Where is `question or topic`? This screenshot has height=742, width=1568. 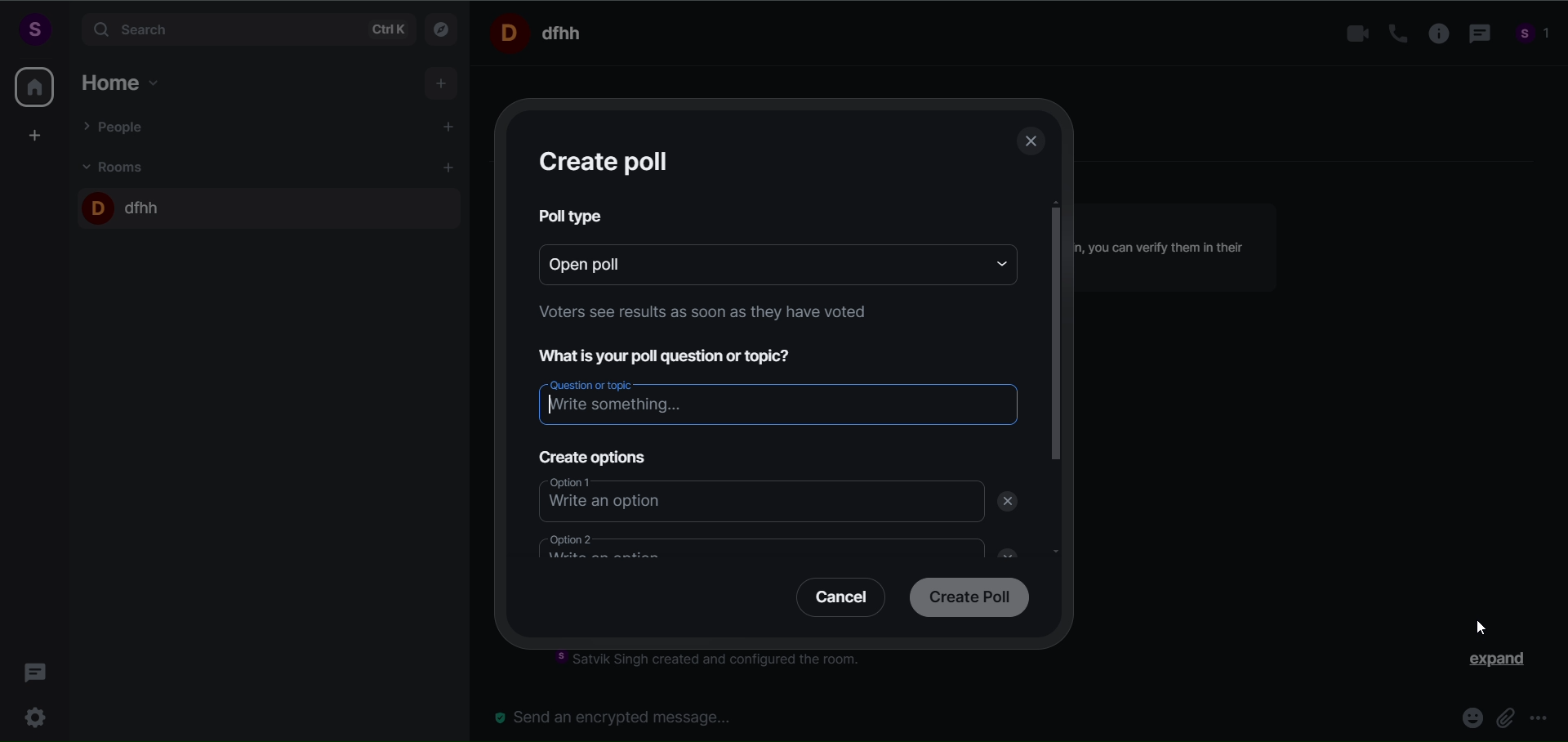
question or topic is located at coordinates (777, 400).